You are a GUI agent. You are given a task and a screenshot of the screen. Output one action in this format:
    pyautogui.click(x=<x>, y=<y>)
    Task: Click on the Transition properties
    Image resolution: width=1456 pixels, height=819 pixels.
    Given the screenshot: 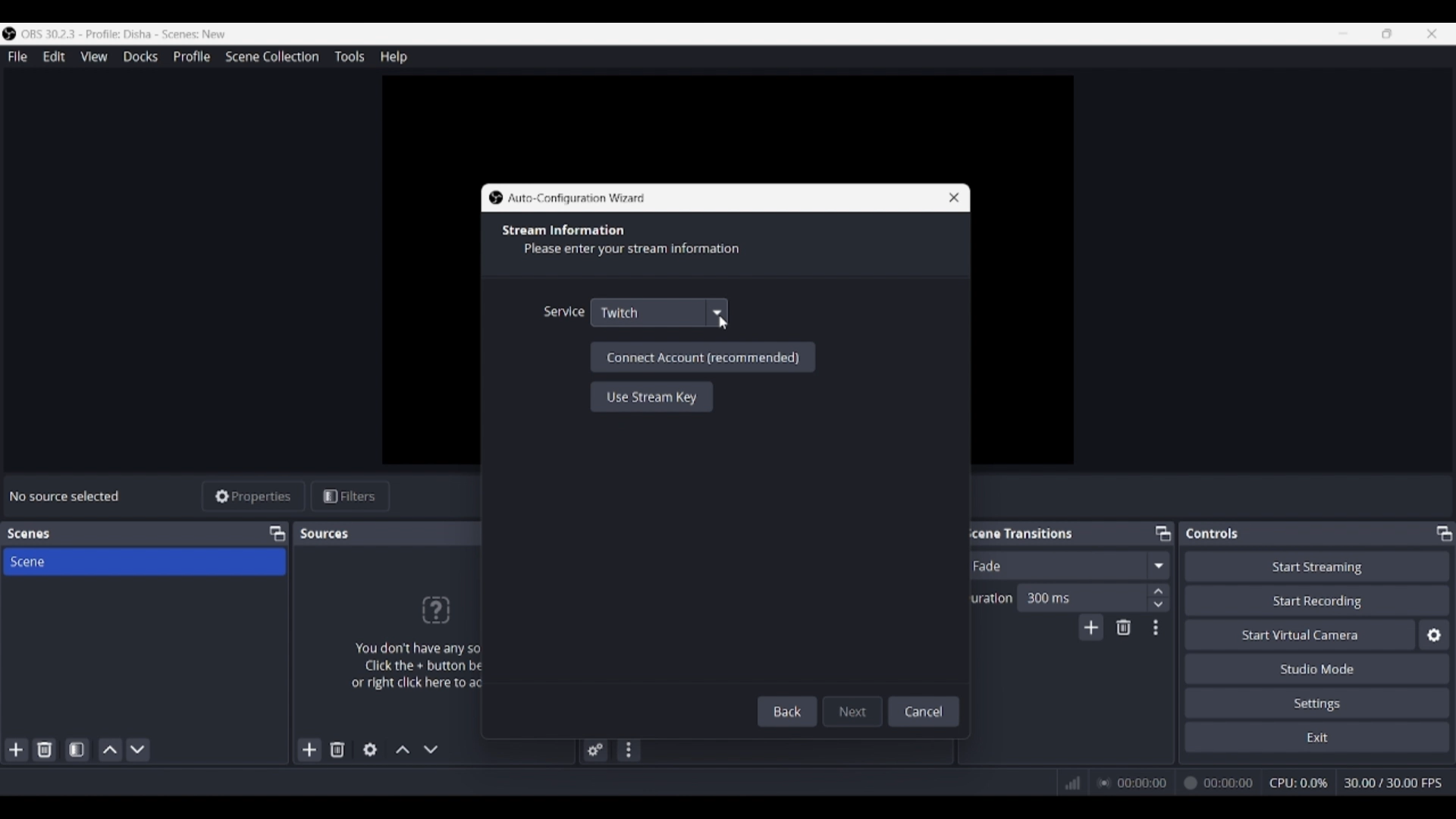 What is the action you would take?
    pyautogui.click(x=1156, y=628)
    